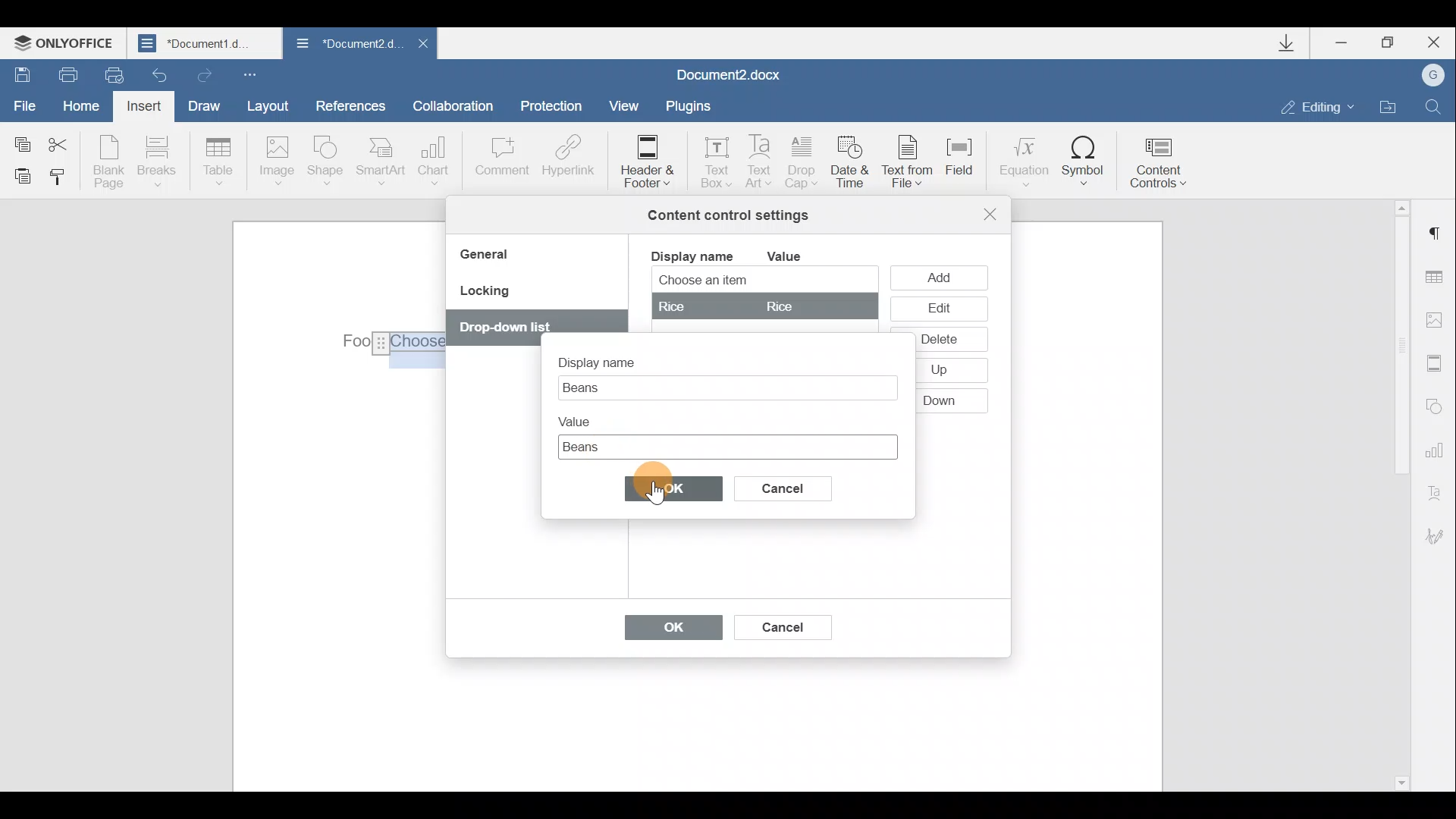  Describe the element at coordinates (943, 277) in the screenshot. I see `Add` at that location.